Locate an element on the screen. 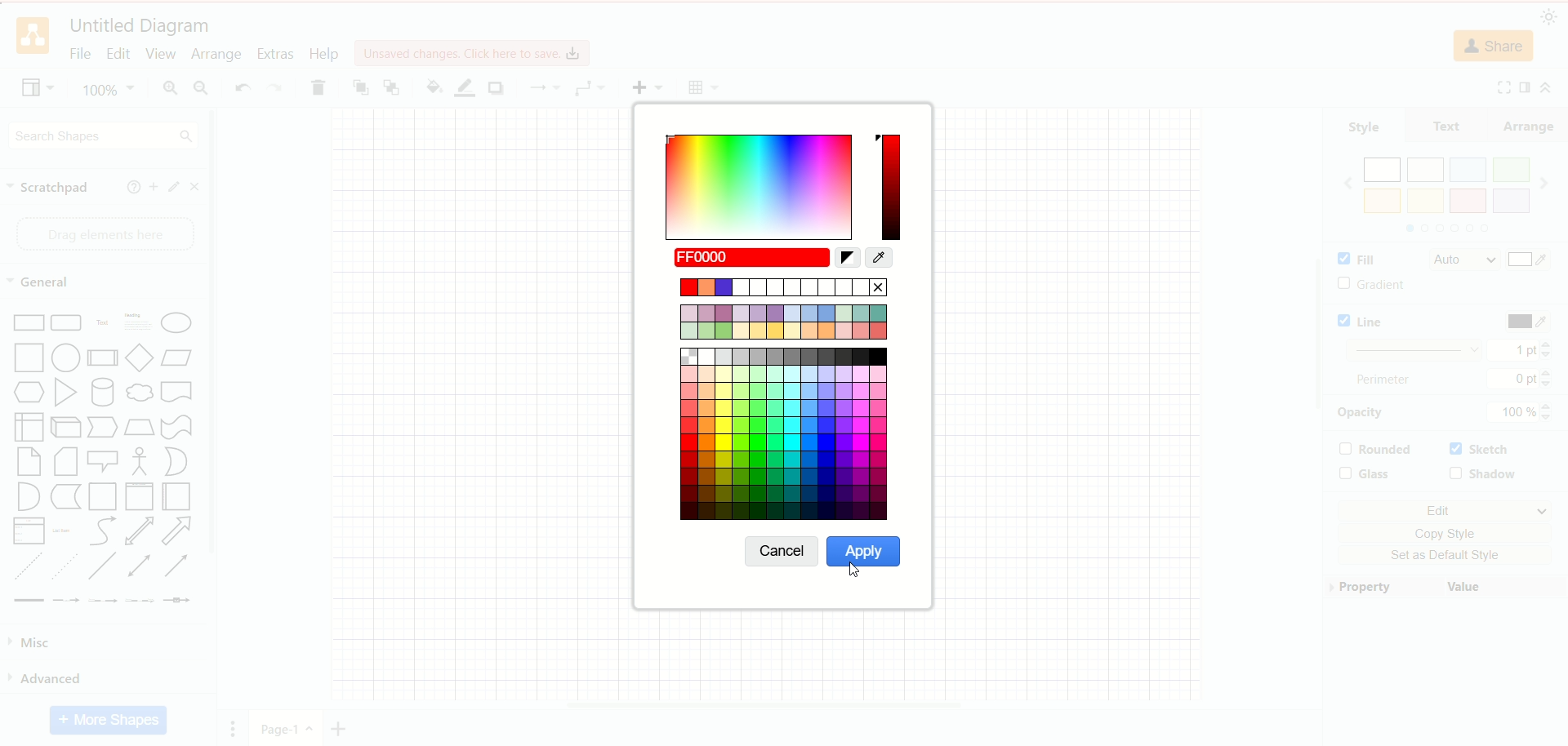 Image resolution: width=1568 pixels, height=746 pixels. color pallete is located at coordinates (786, 401).